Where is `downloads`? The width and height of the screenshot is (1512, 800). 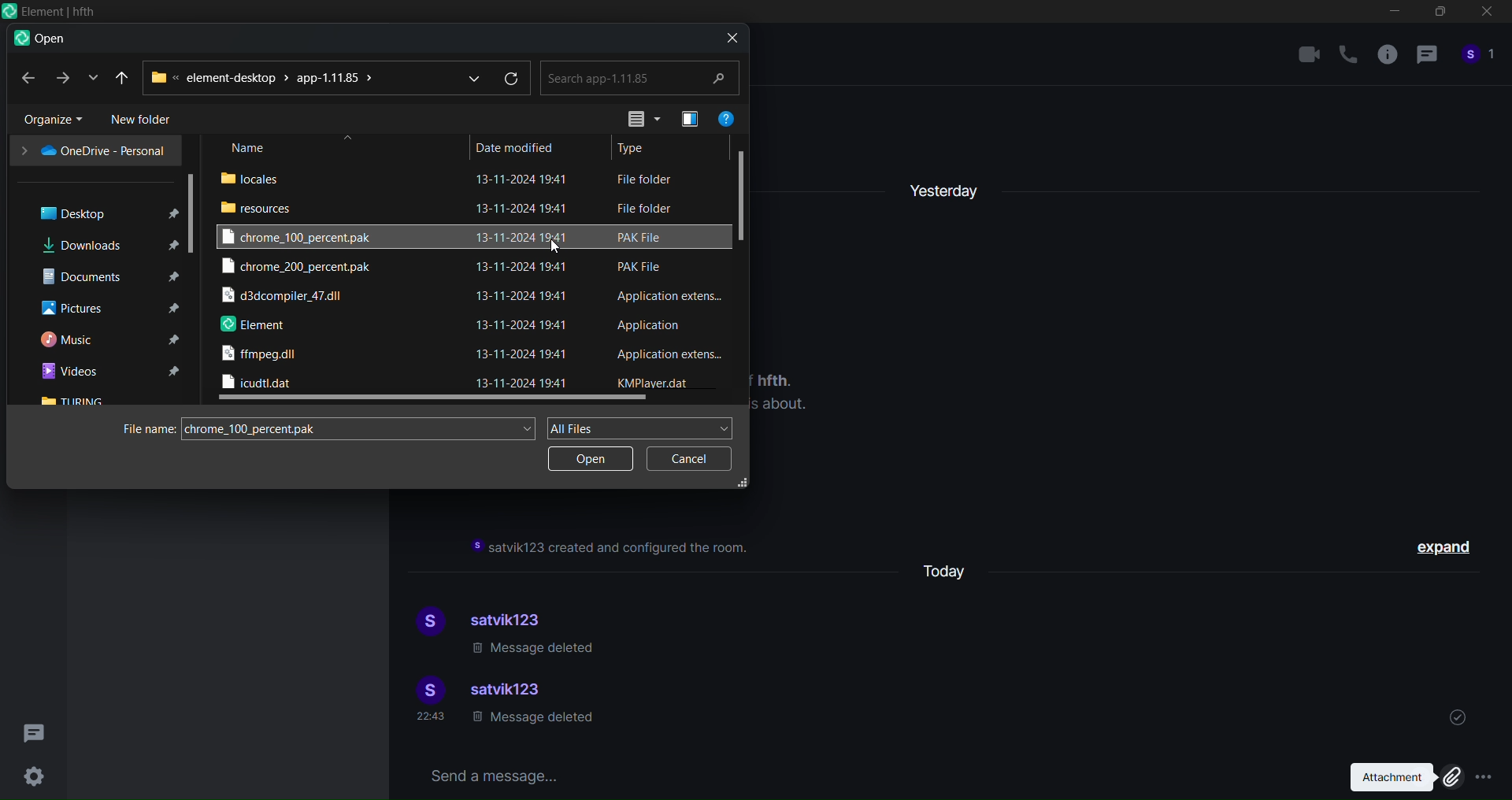 downloads is located at coordinates (105, 244).